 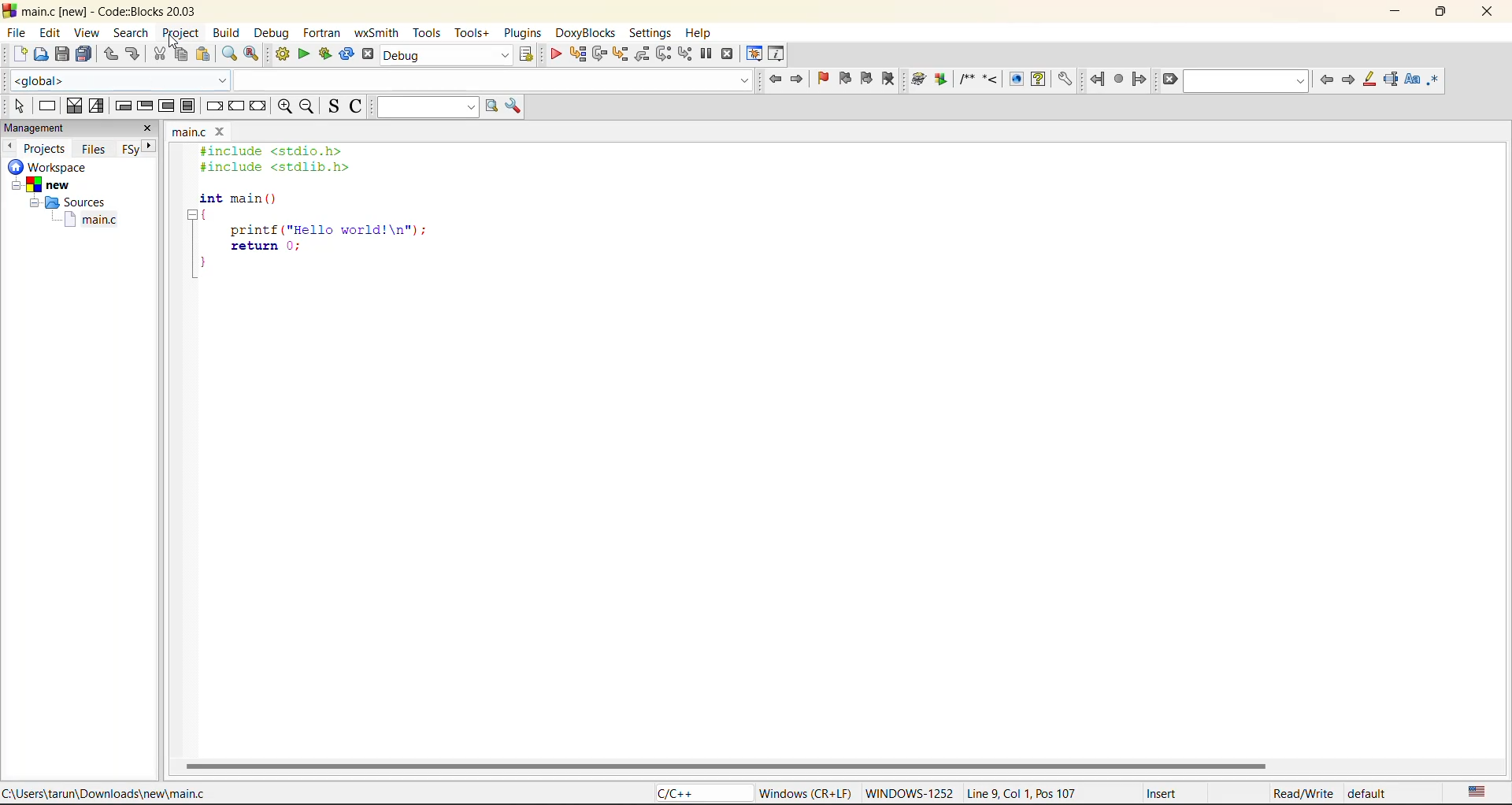 What do you see at coordinates (203, 53) in the screenshot?
I see `paste` at bounding box center [203, 53].